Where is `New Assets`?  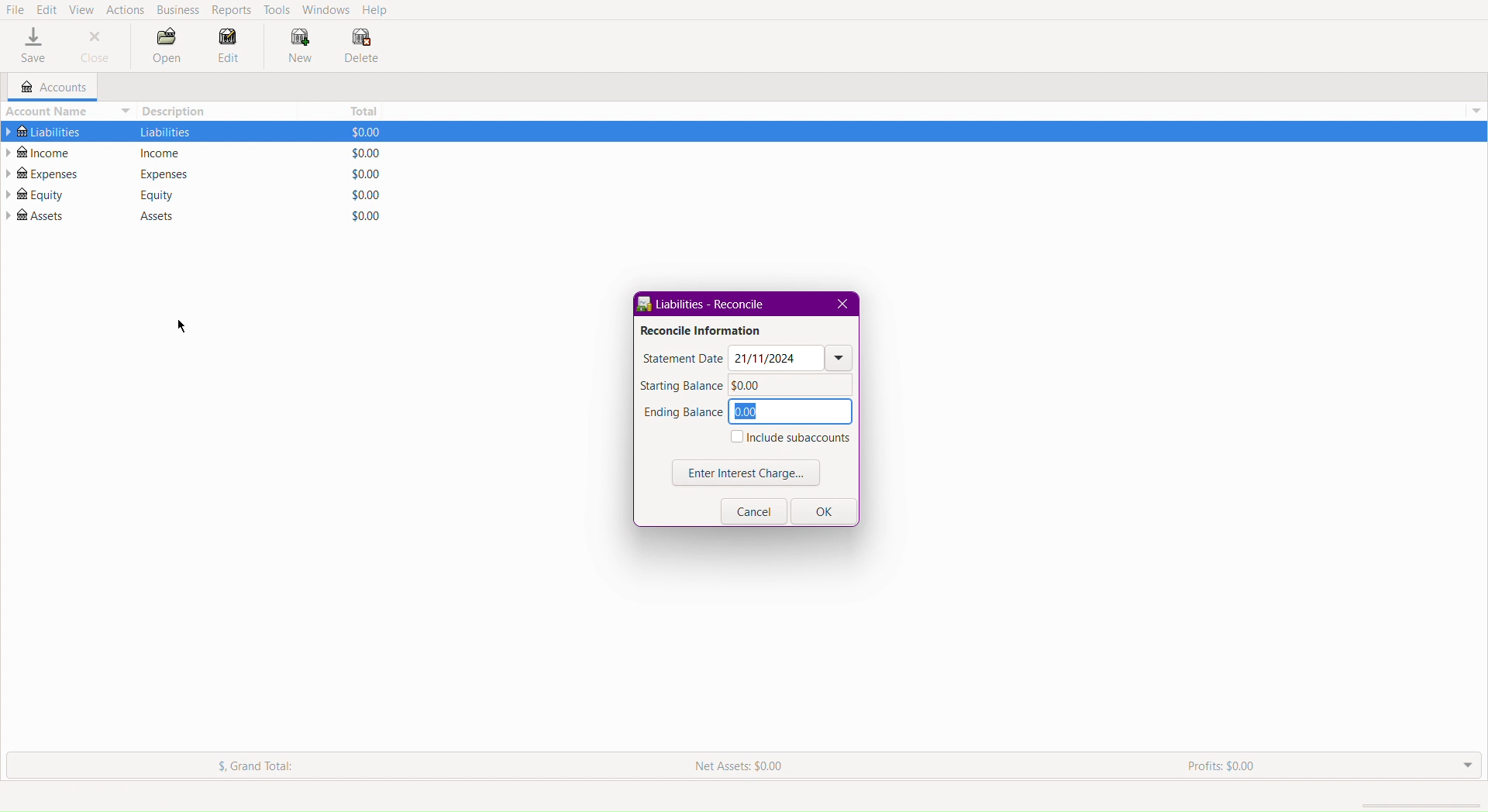
New Assets is located at coordinates (742, 764).